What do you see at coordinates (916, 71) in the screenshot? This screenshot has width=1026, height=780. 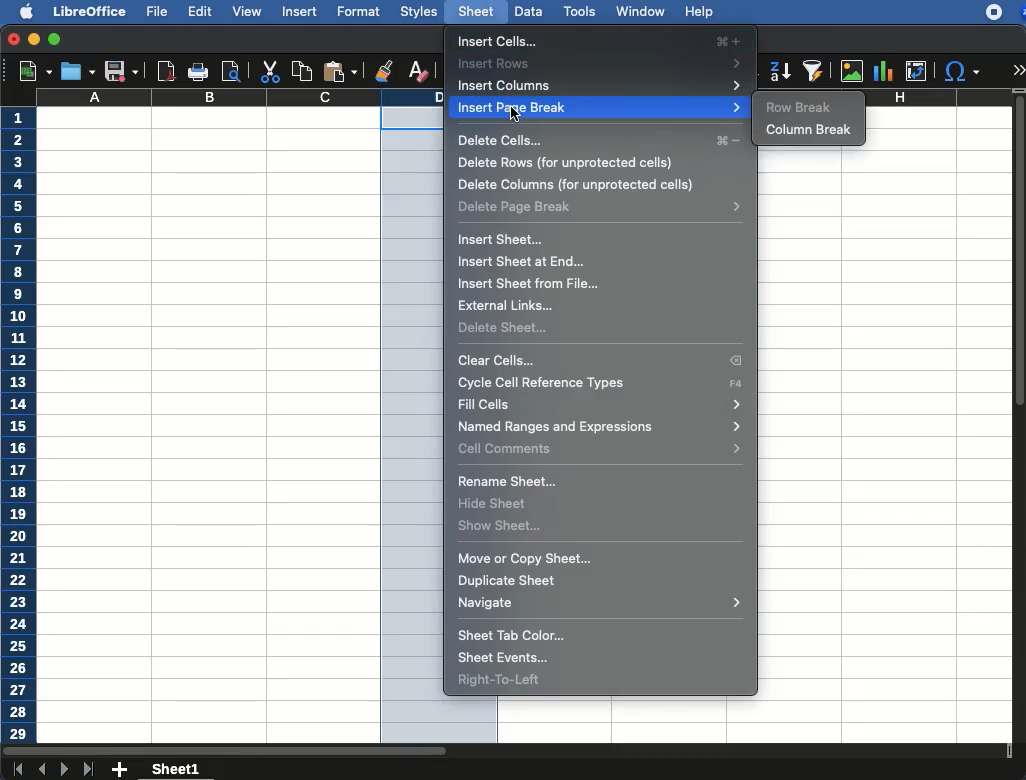 I see `pivot table` at bounding box center [916, 71].